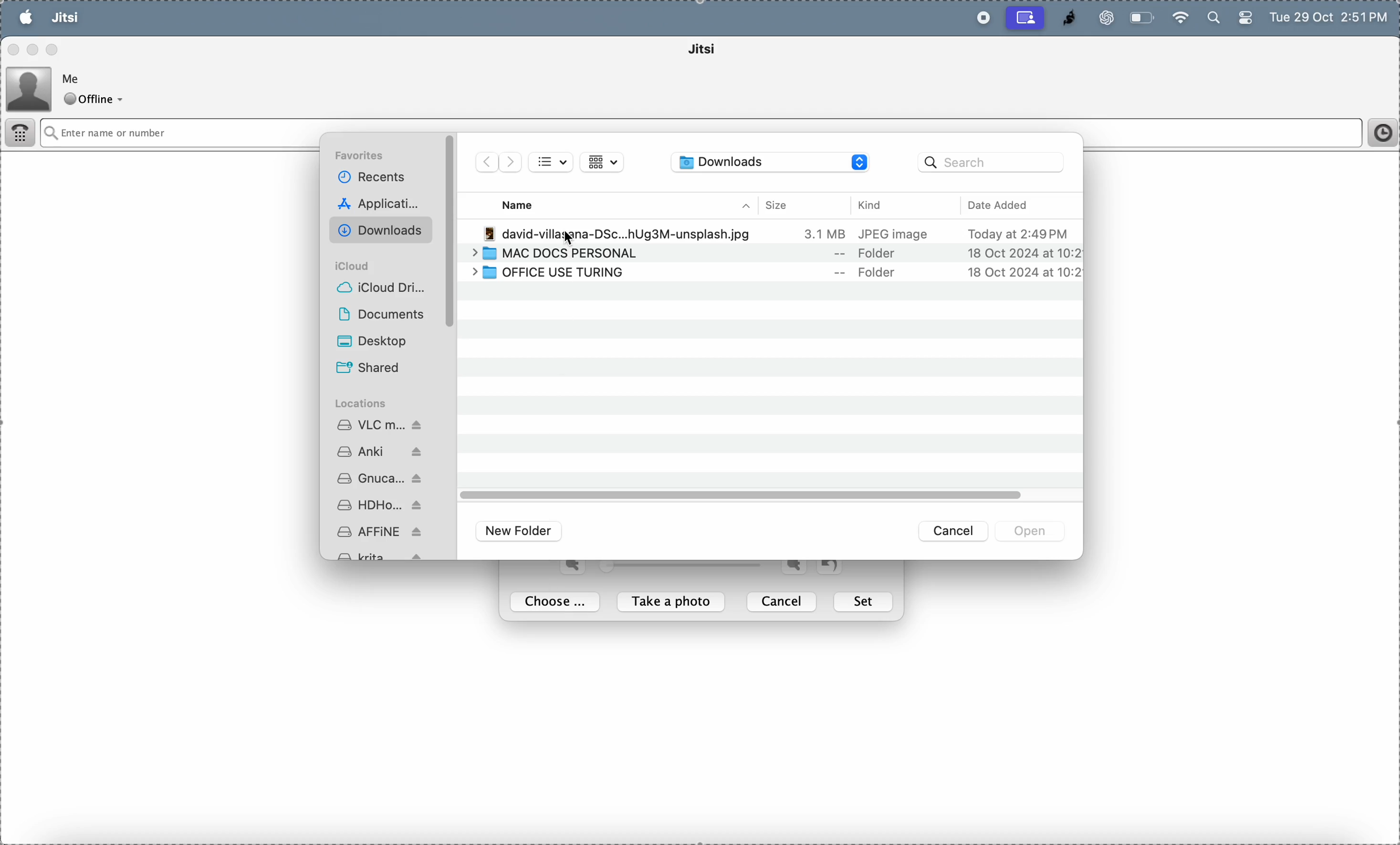 This screenshot has height=845, width=1400. What do you see at coordinates (768, 273) in the screenshot?
I see `| > [1] OFFICE USE TURING -- Folder 18 Oct 2024 at 10:2]` at bounding box center [768, 273].